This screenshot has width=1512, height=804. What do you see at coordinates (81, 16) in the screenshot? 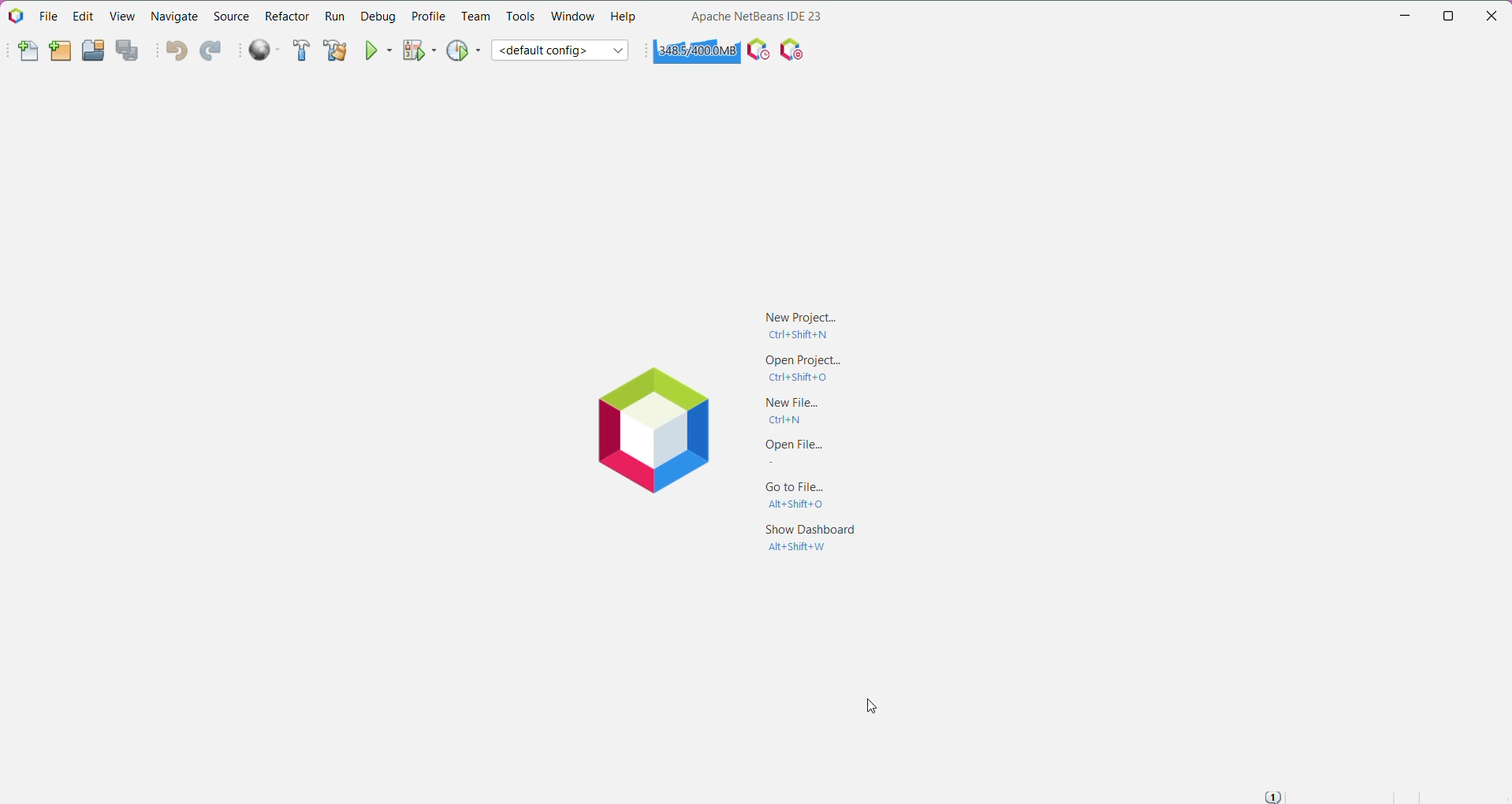
I see `Edit` at bounding box center [81, 16].